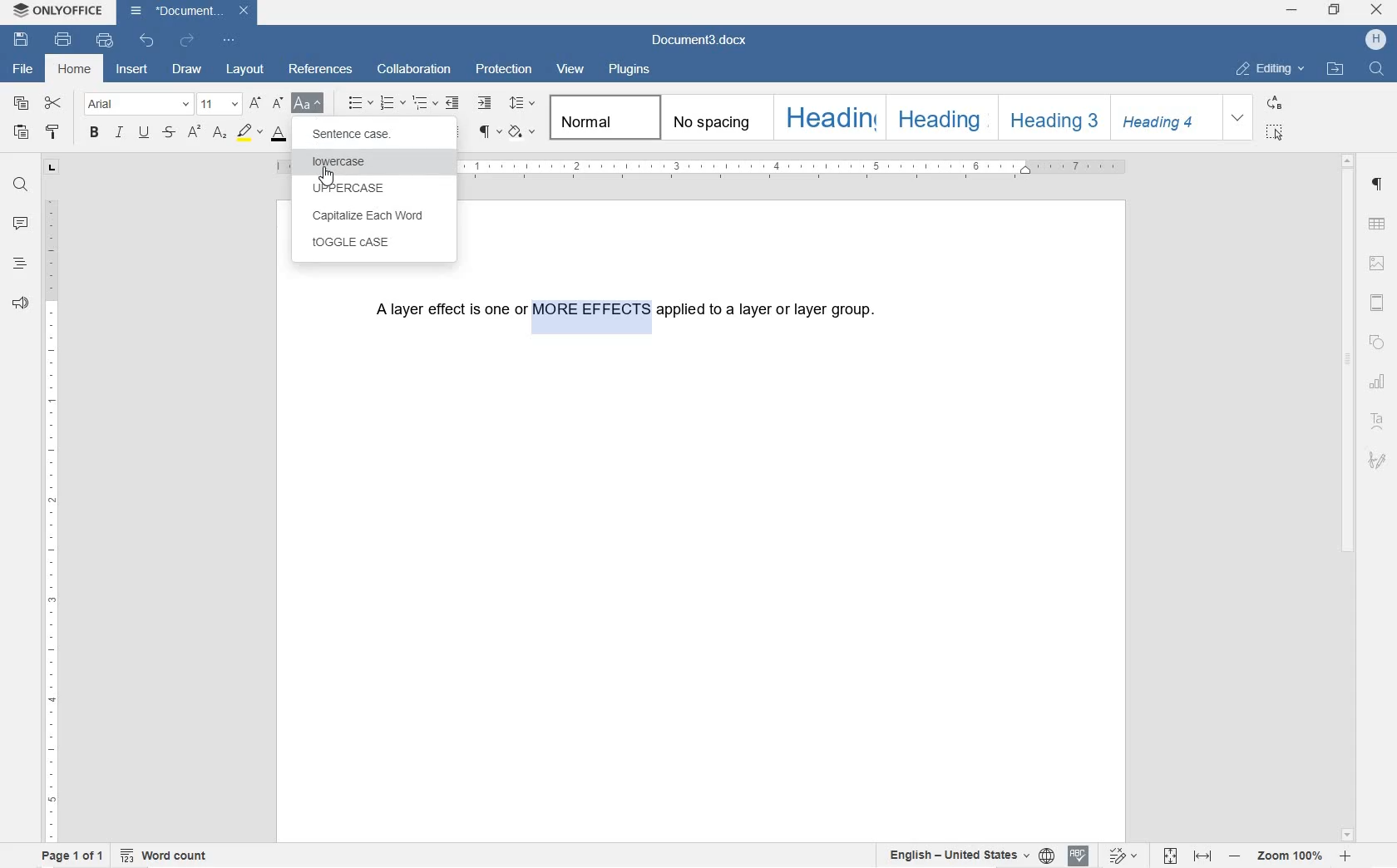 The height and width of the screenshot is (868, 1397). What do you see at coordinates (1380, 264) in the screenshot?
I see `IMAGE` at bounding box center [1380, 264].